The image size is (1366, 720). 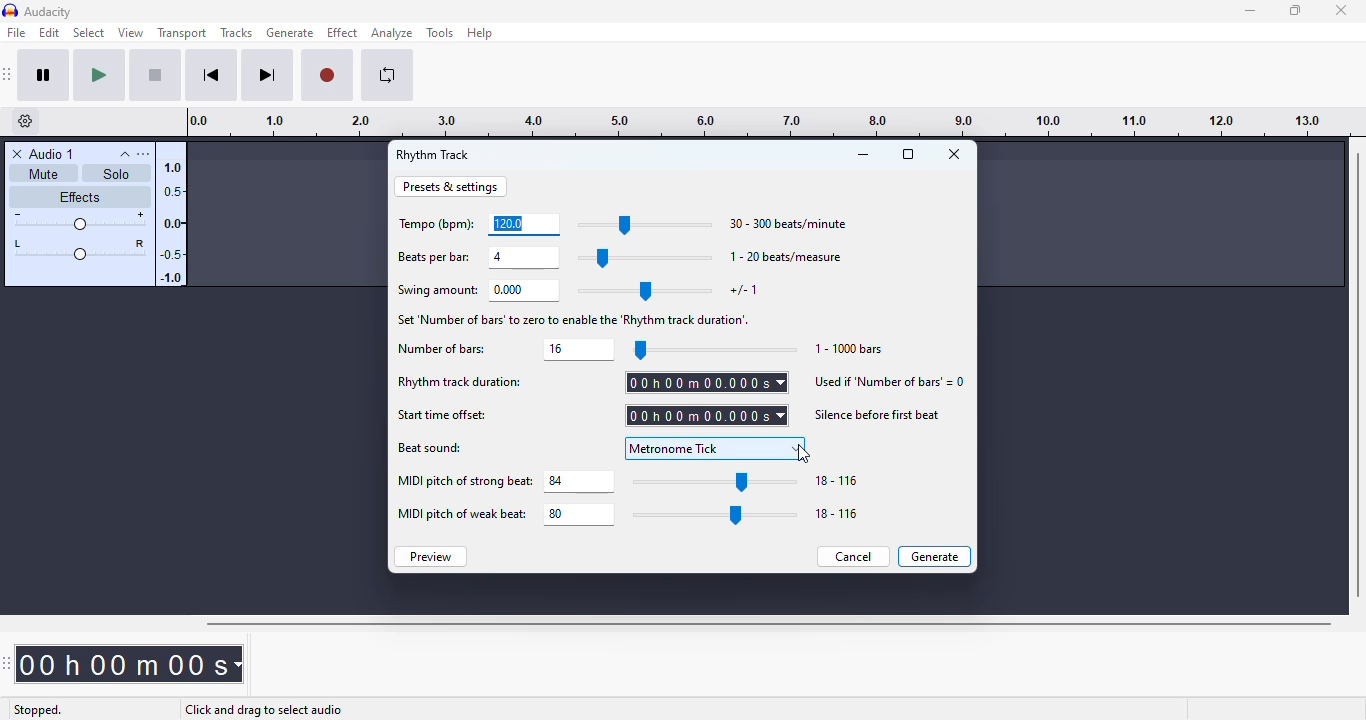 What do you see at coordinates (646, 291) in the screenshot?
I see `slider` at bounding box center [646, 291].